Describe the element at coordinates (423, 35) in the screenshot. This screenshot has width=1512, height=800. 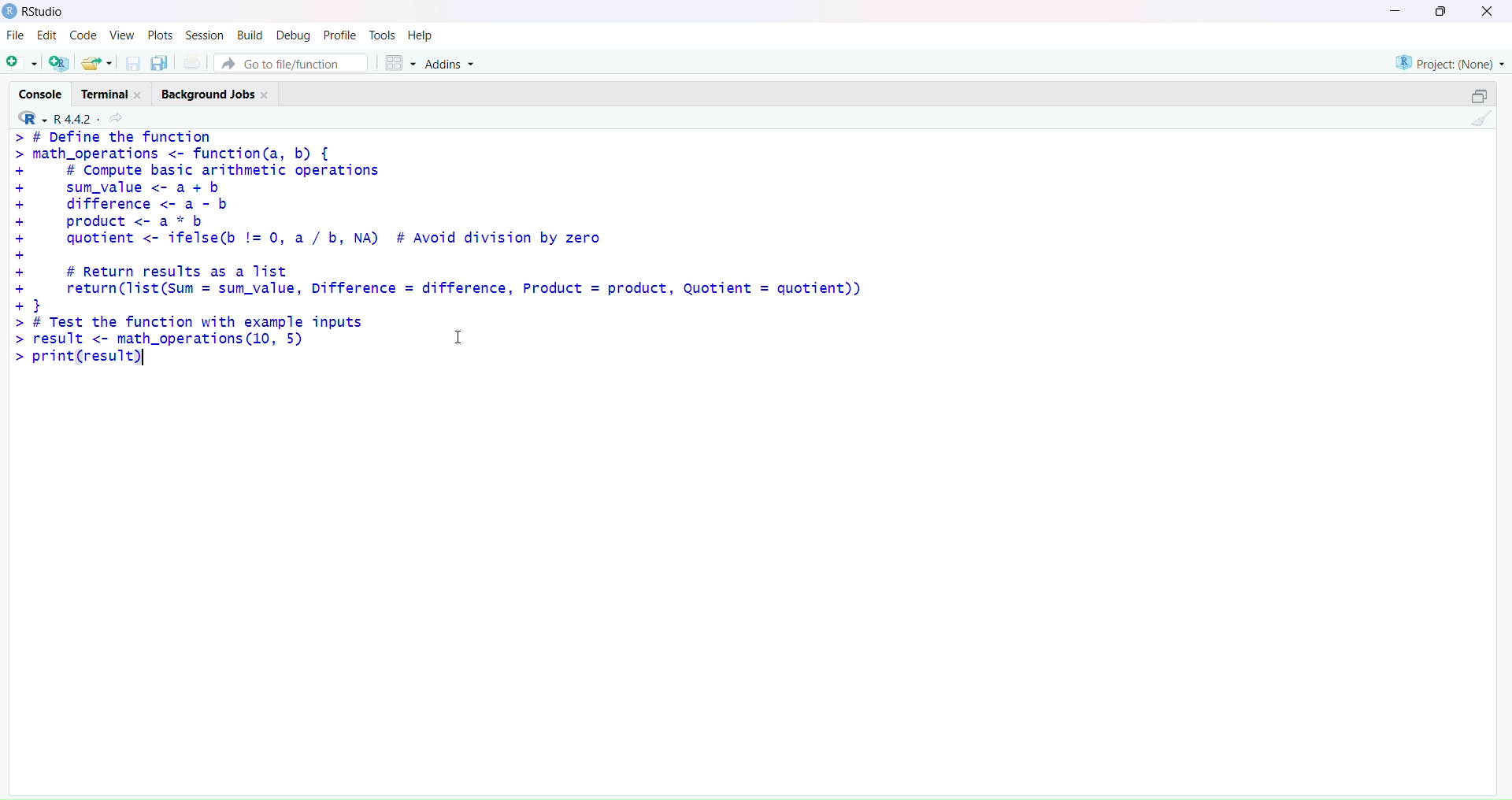
I see `Help` at that location.